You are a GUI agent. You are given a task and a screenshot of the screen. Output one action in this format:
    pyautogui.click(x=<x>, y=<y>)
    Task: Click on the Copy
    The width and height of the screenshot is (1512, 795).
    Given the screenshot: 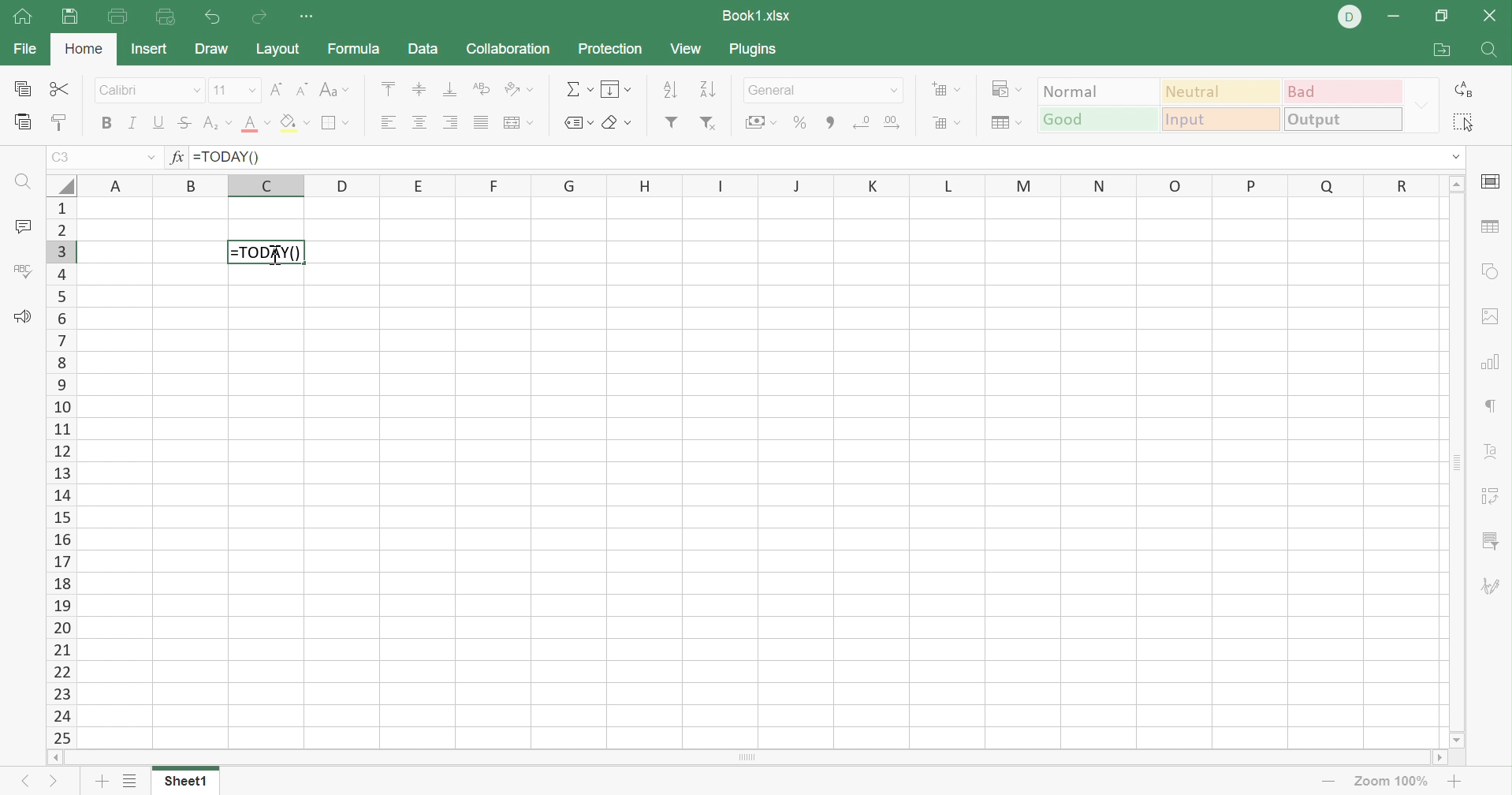 What is the action you would take?
    pyautogui.click(x=25, y=88)
    